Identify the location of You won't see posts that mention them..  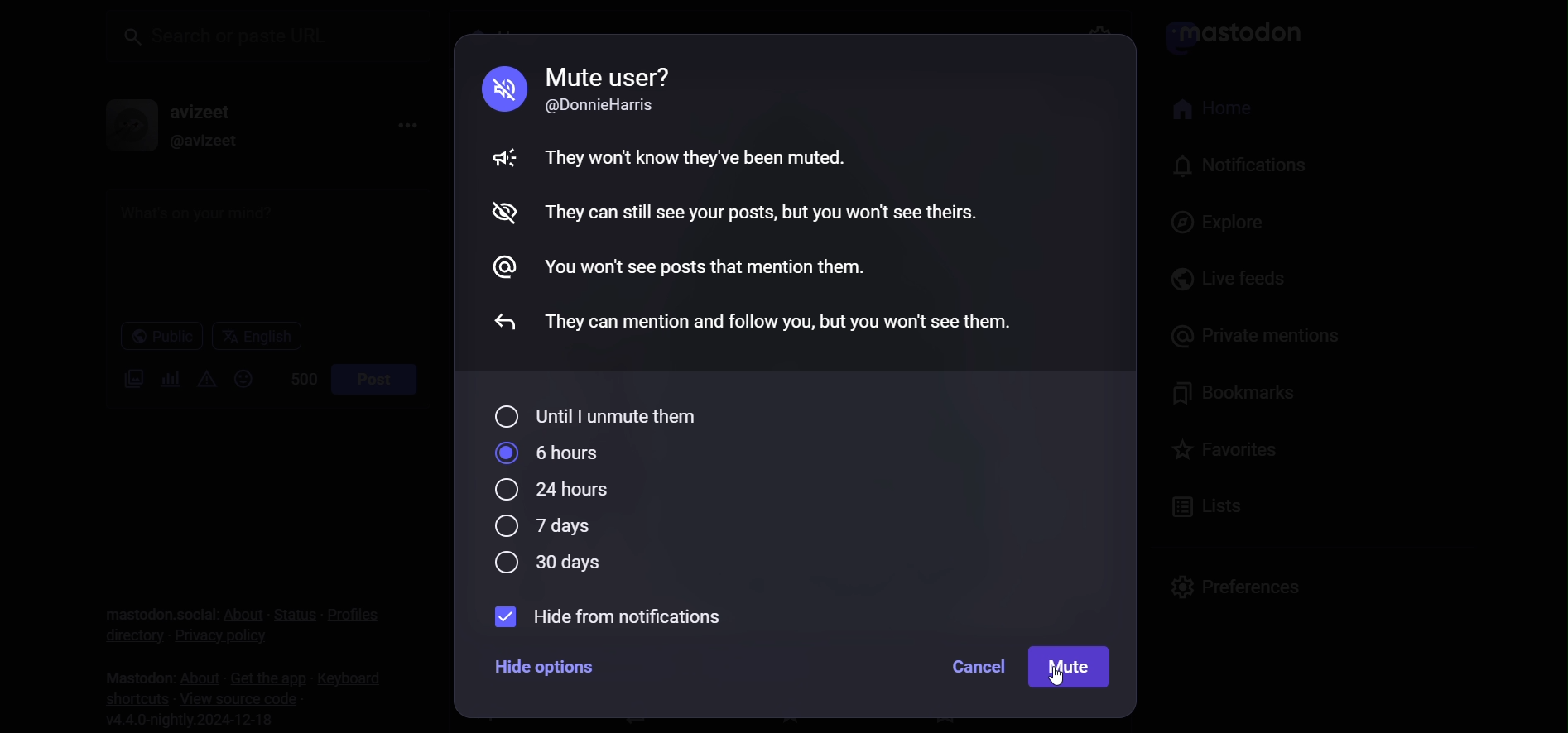
(707, 271).